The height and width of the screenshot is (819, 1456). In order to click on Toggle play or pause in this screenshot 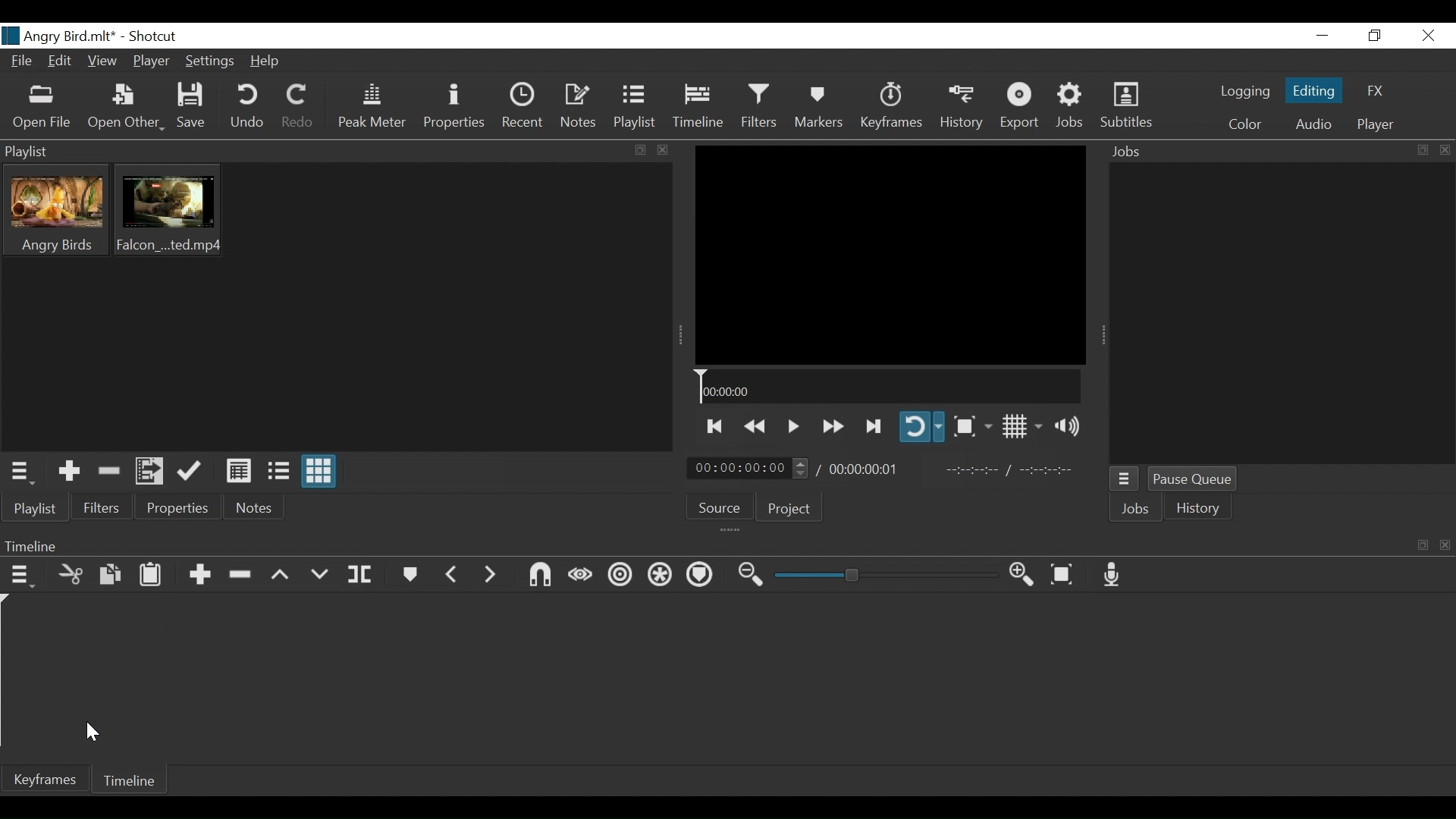, I will do `click(795, 427)`.